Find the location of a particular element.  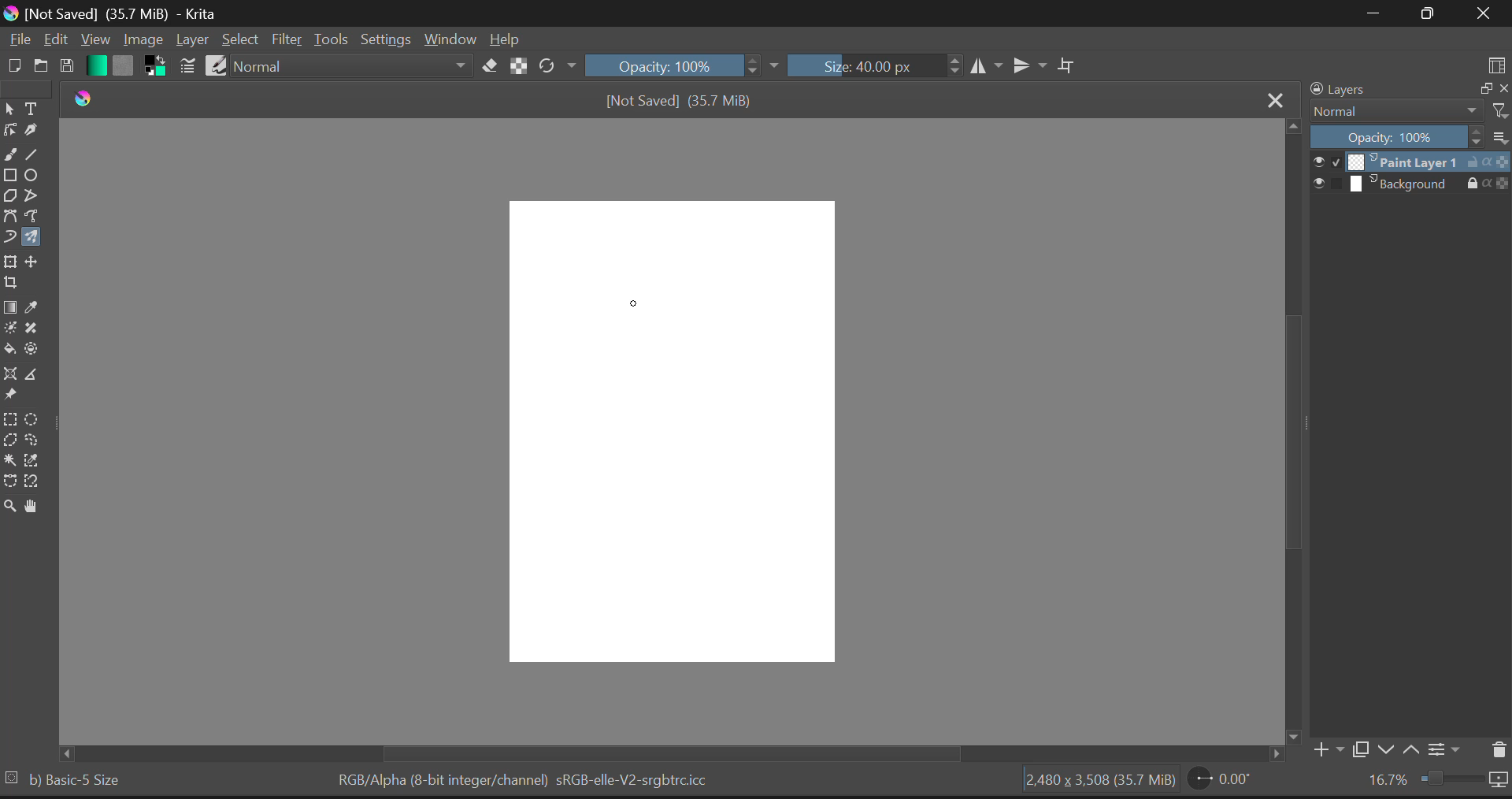

Crop is located at coordinates (1069, 65).